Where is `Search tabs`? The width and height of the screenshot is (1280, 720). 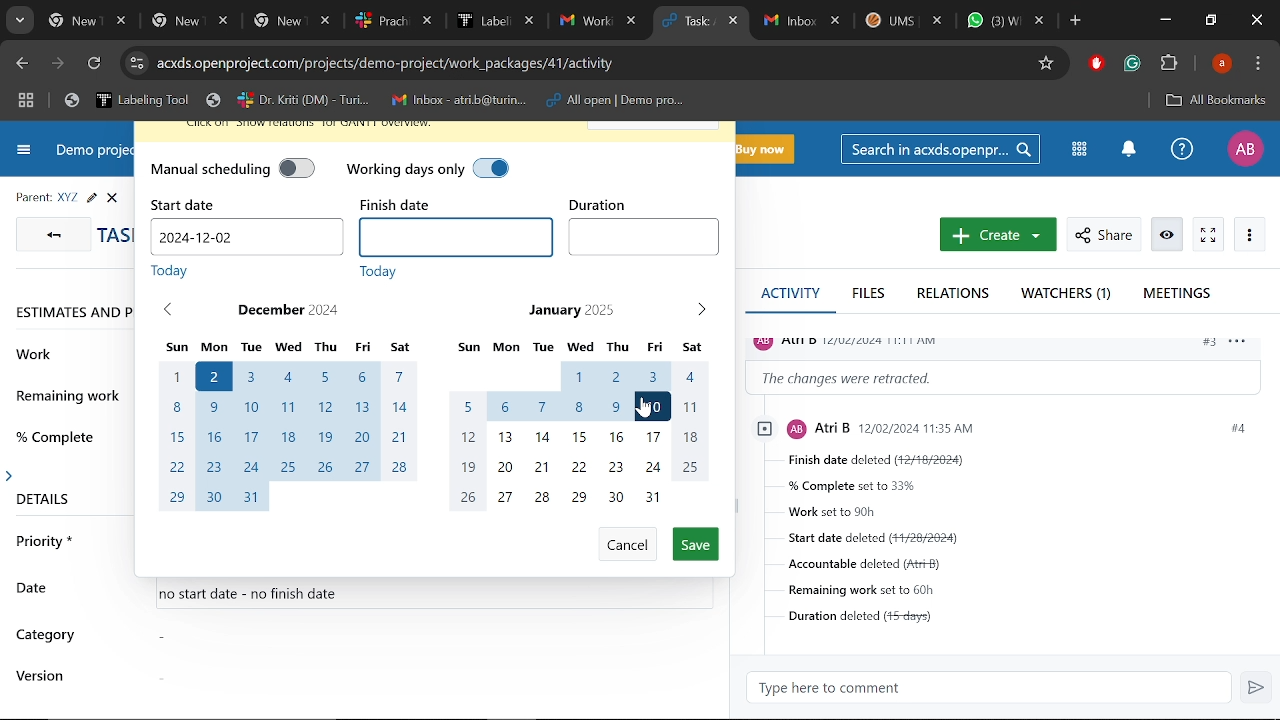
Search tabs is located at coordinates (18, 21).